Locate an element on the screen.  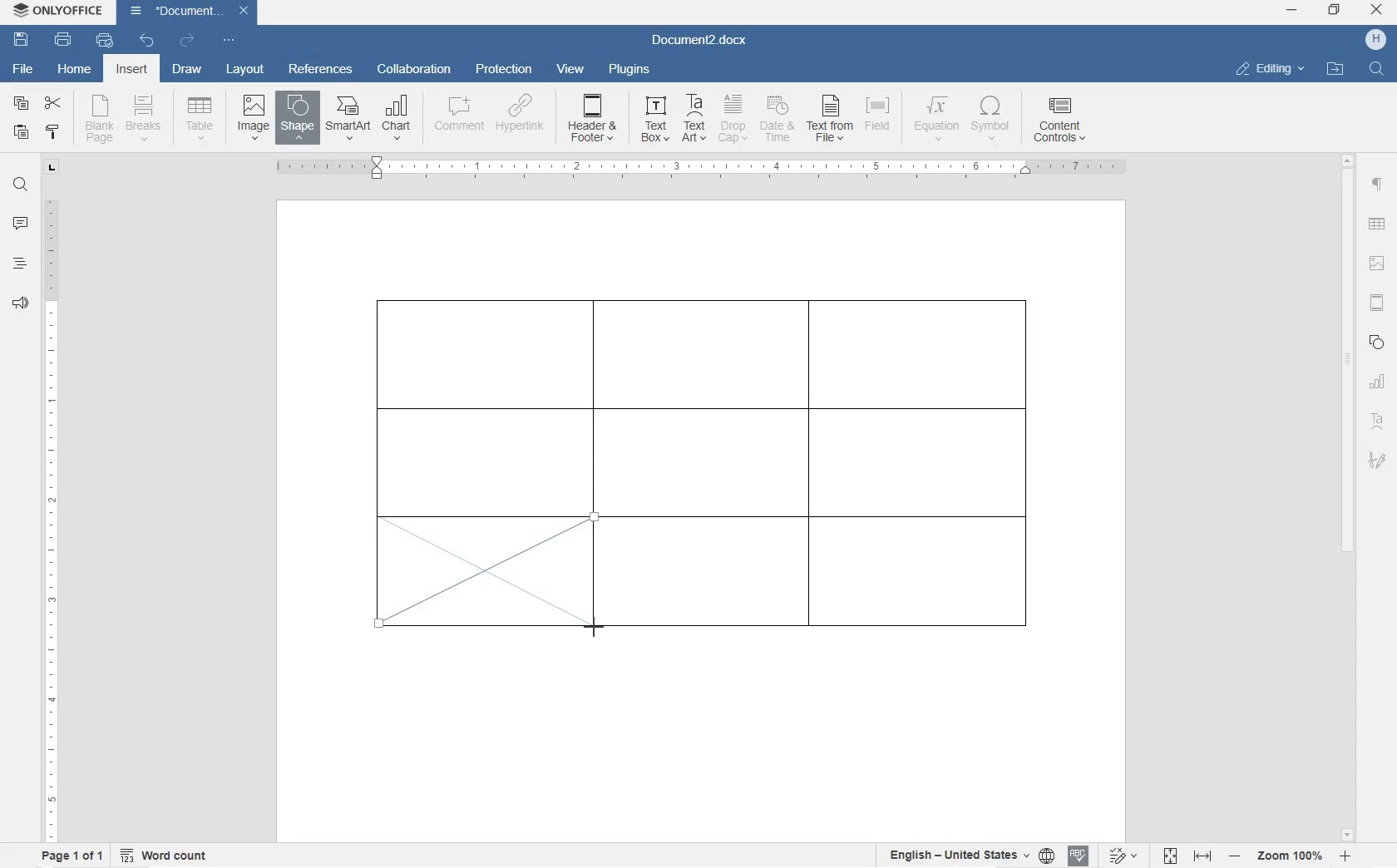
CONTENT CONTROLS is located at coordinates (1057, 122).